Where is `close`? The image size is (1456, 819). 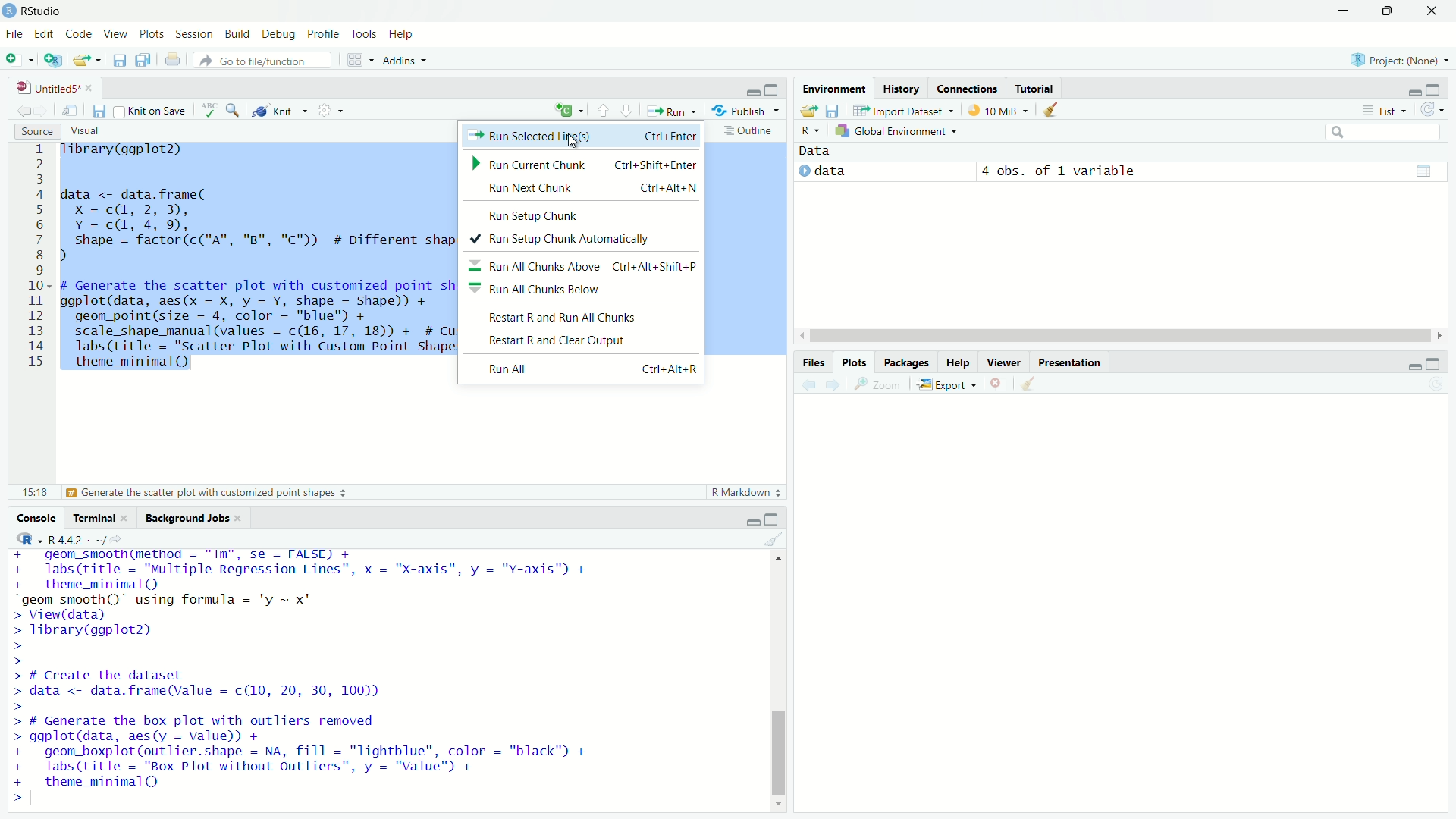
close is located at coordinates (124, 518).